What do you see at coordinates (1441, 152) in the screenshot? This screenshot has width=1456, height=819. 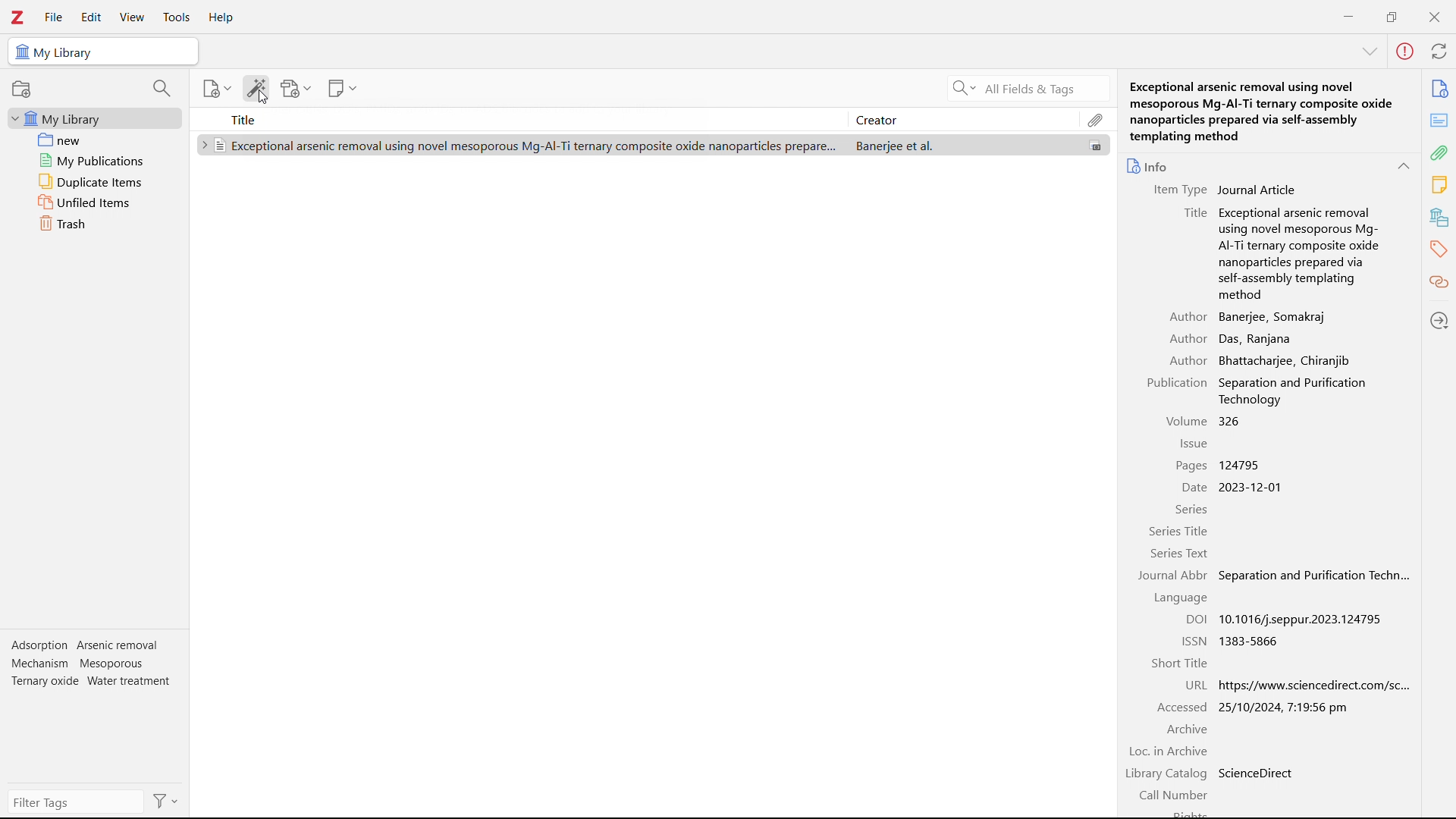 I see `attachments` at bounding box center [1441, 152].